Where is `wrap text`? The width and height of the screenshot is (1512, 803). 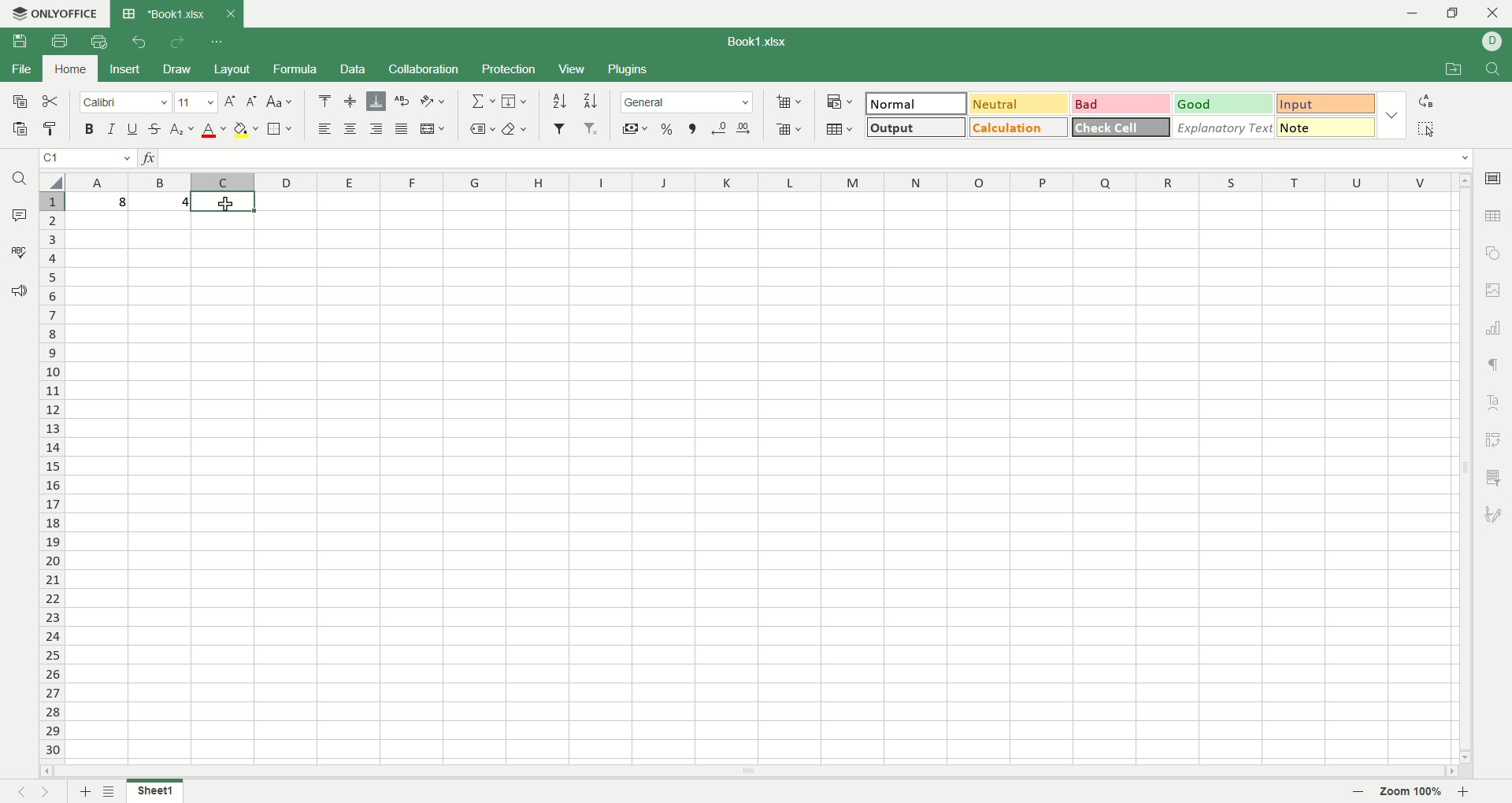 wrap text is located at coordinates (403, 98).